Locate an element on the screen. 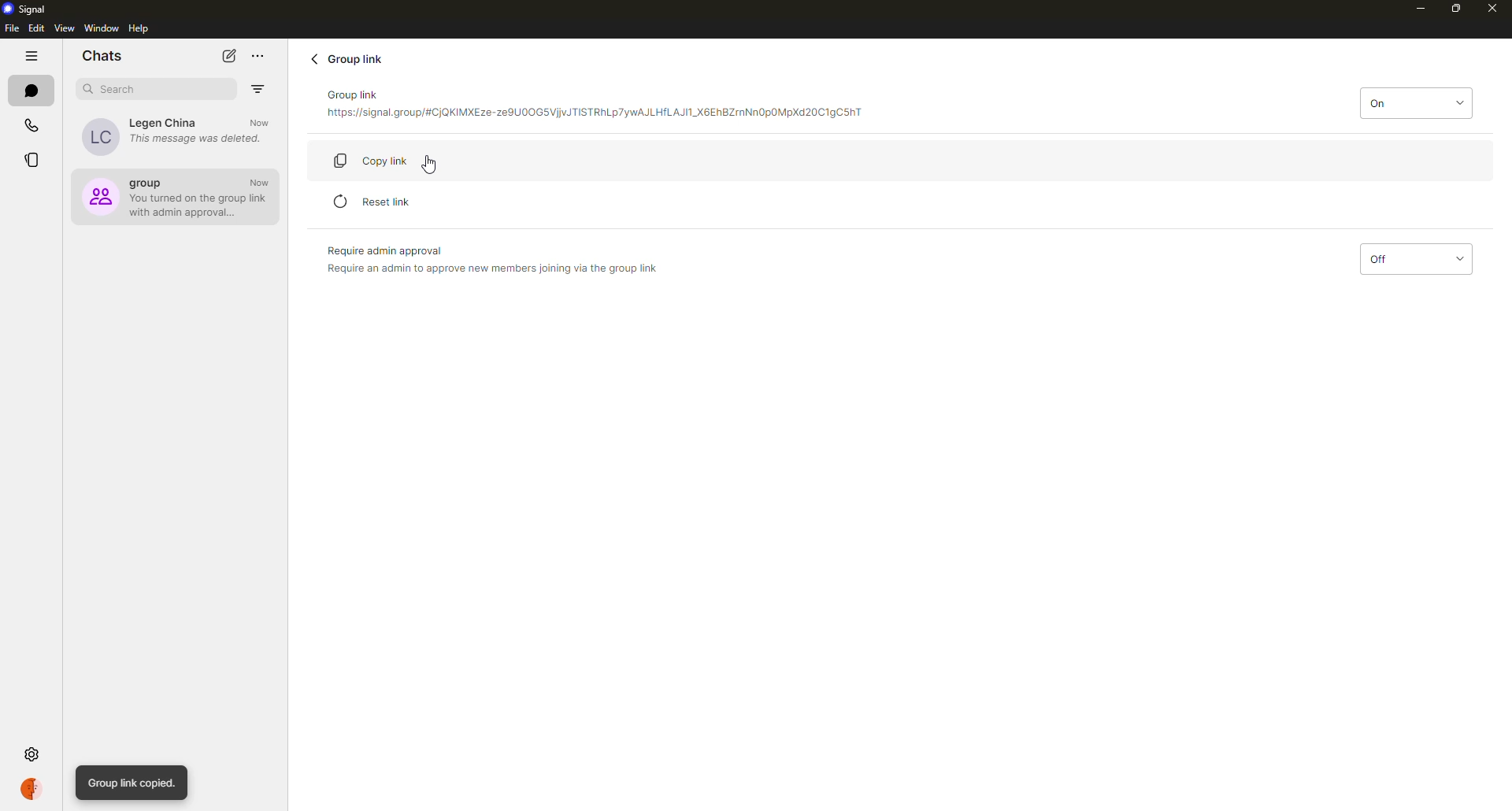 This screenshot has width=1512, height=811. off is located at coordinates (1414, 260).